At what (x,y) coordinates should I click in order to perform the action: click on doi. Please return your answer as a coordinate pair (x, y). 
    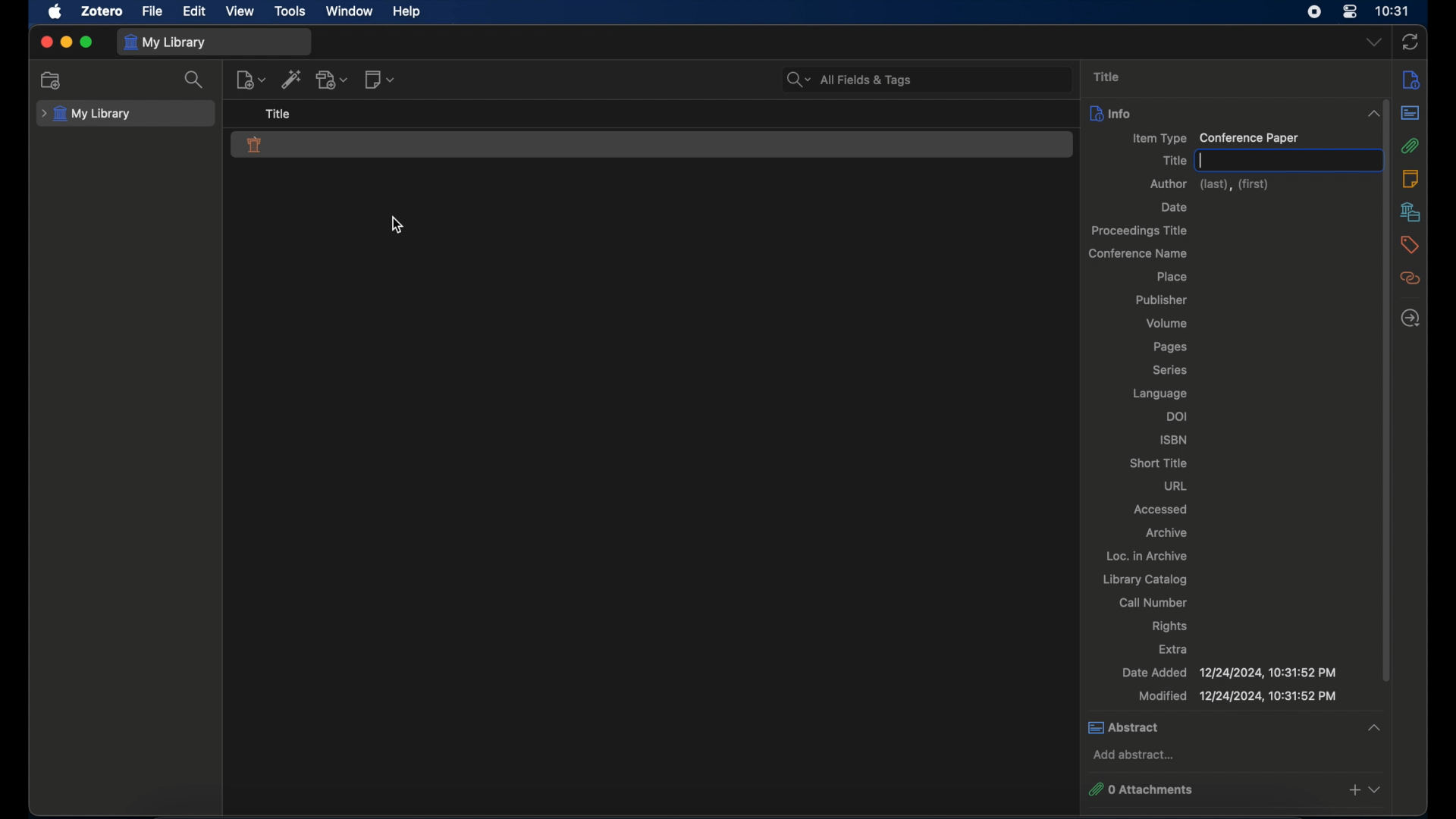
    Looking at the image, I should click on (1178, 416).